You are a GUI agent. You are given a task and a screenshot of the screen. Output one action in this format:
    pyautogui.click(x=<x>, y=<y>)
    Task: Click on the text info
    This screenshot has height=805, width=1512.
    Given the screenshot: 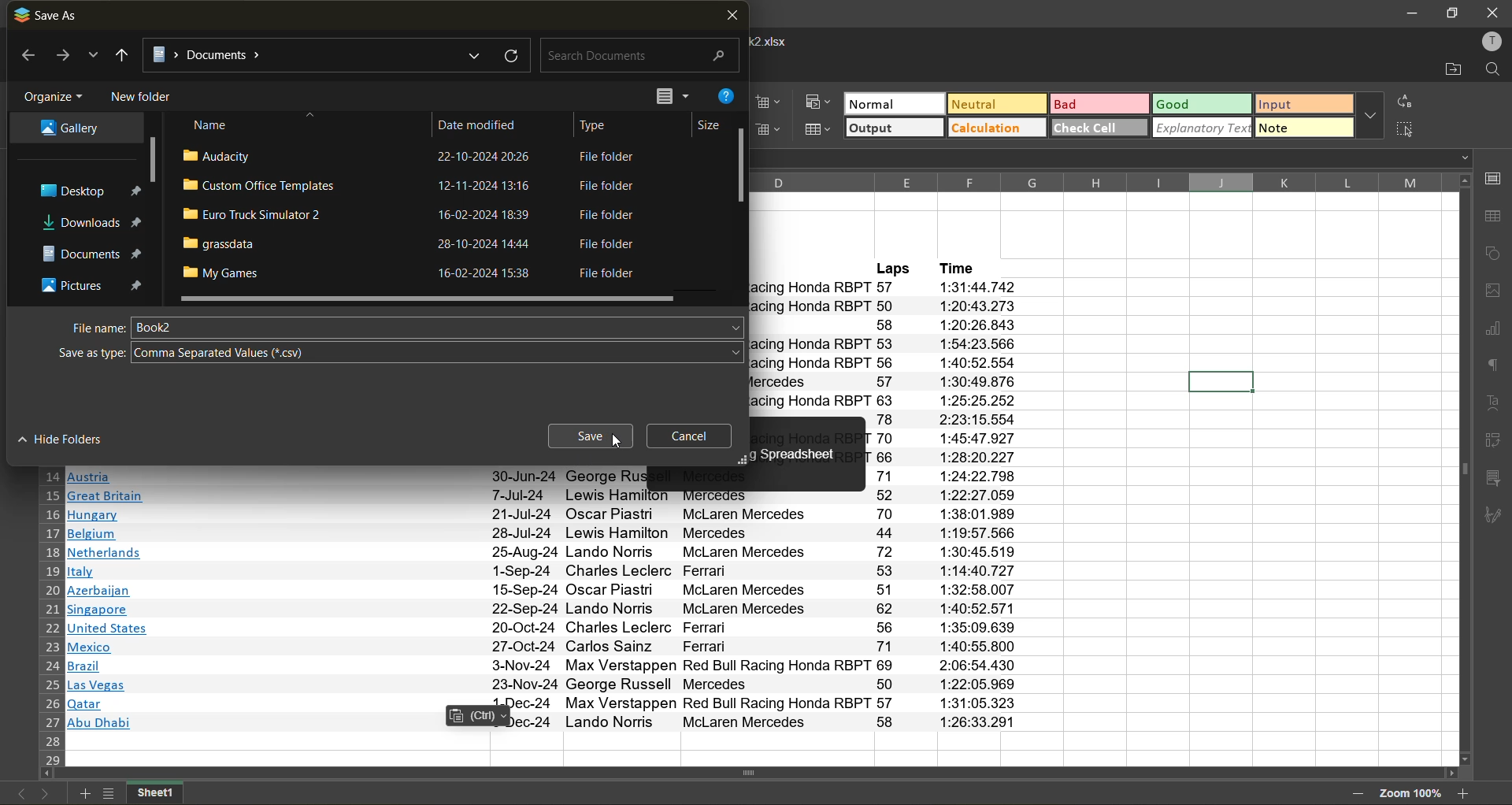 What is the action you would take?
    pyautogui.click(x=543, y=534)
    